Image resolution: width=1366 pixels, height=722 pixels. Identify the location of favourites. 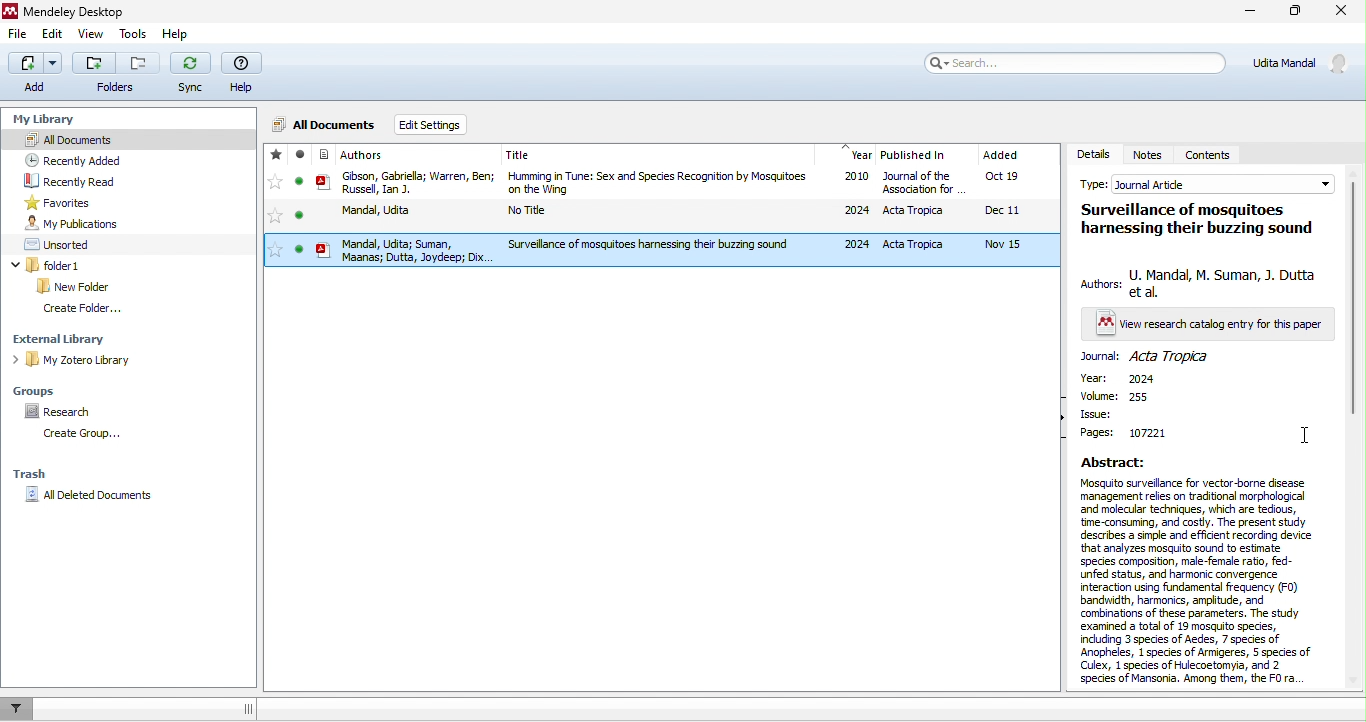
(67, 202).